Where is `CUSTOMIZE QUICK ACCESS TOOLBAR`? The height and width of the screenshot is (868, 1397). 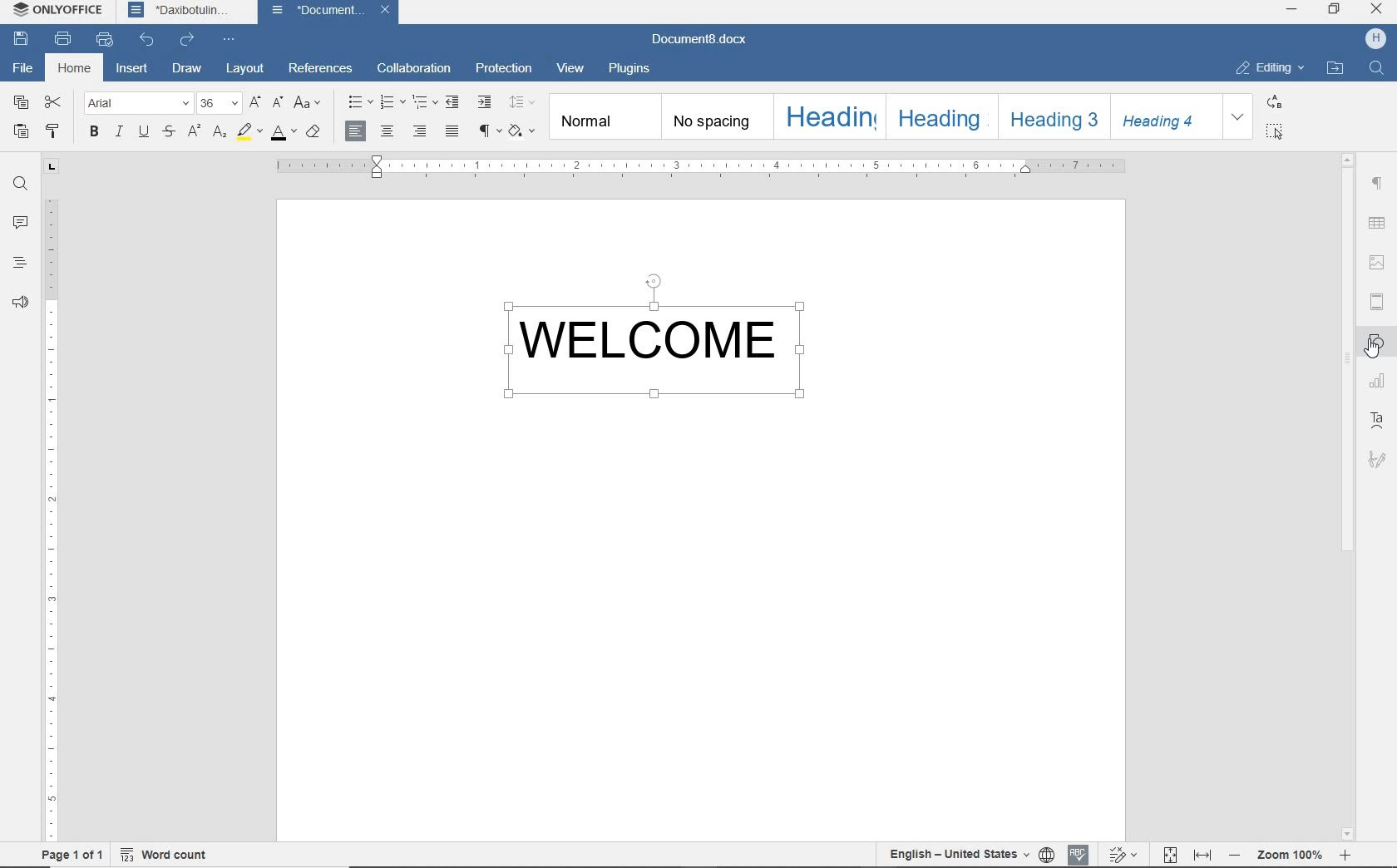 CUSTOMIZE QUICK ACCESS TOOLBAR is located at coordinates (230, 41).